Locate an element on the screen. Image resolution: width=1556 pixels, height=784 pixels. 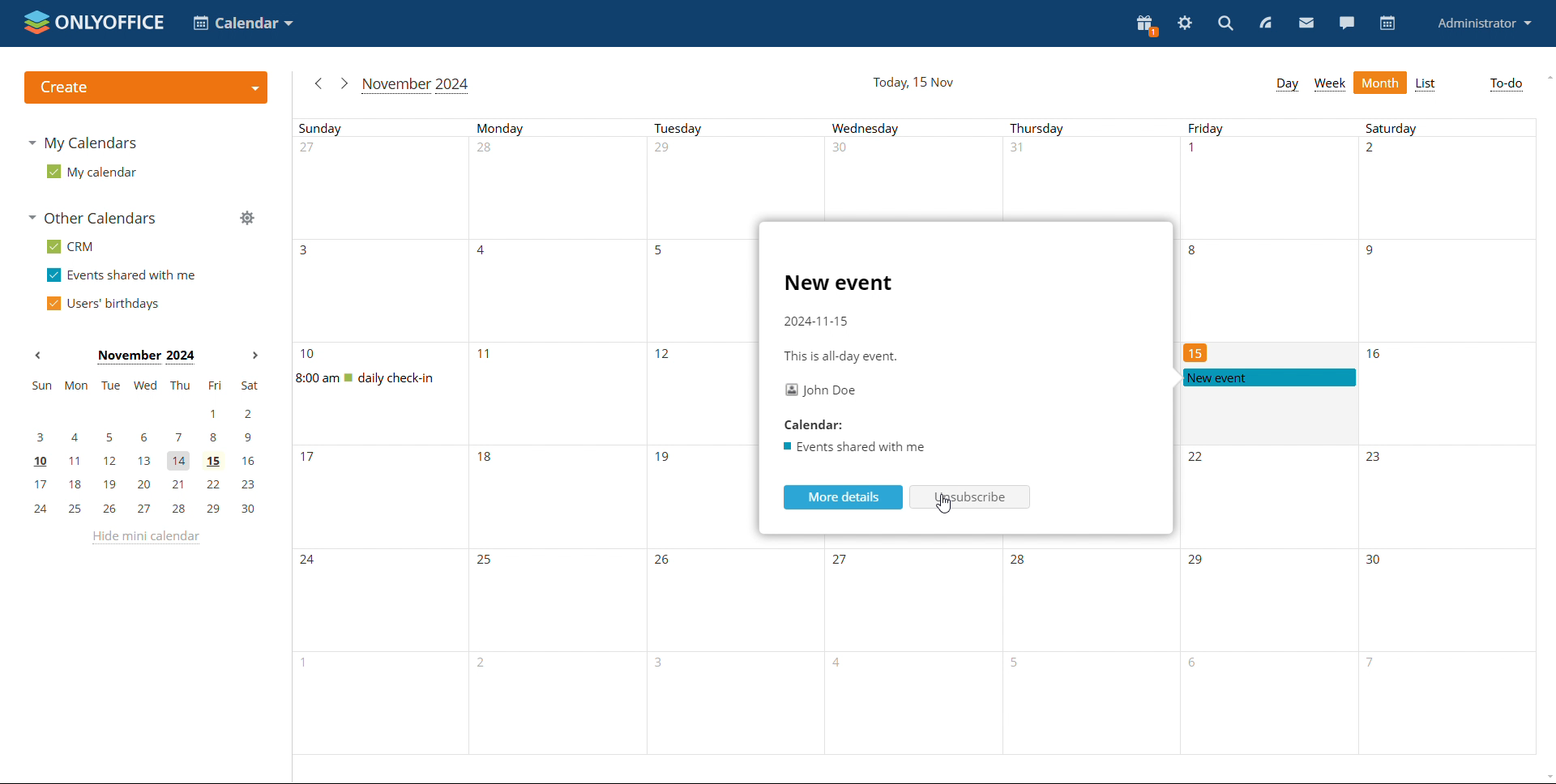
select application is located at coordinates (242, 23).